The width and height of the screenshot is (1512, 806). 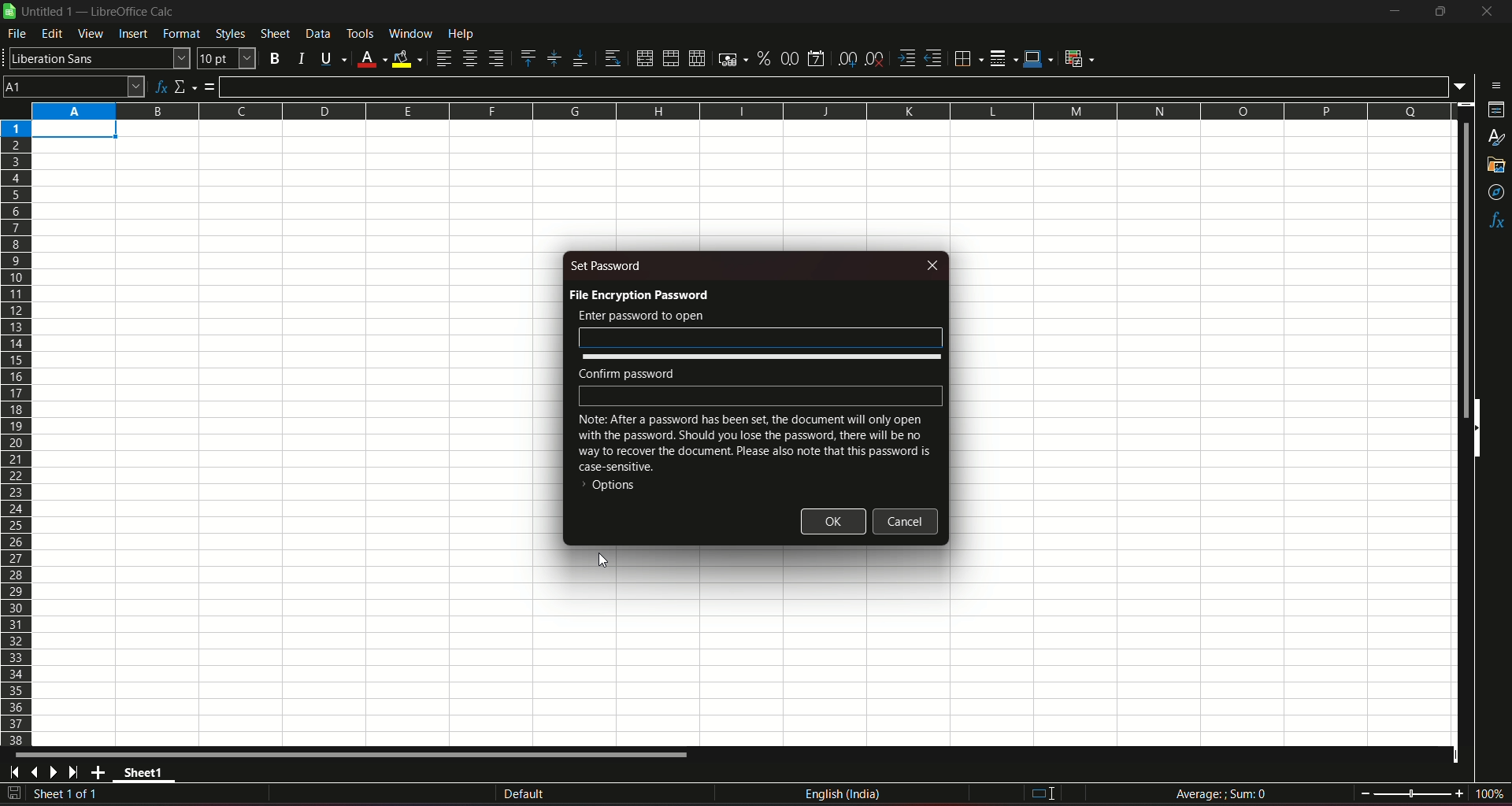 What do you see at coordinates (1393, 12) in the screenshot?
I see `minimize` at bounding box center [1393, 12].